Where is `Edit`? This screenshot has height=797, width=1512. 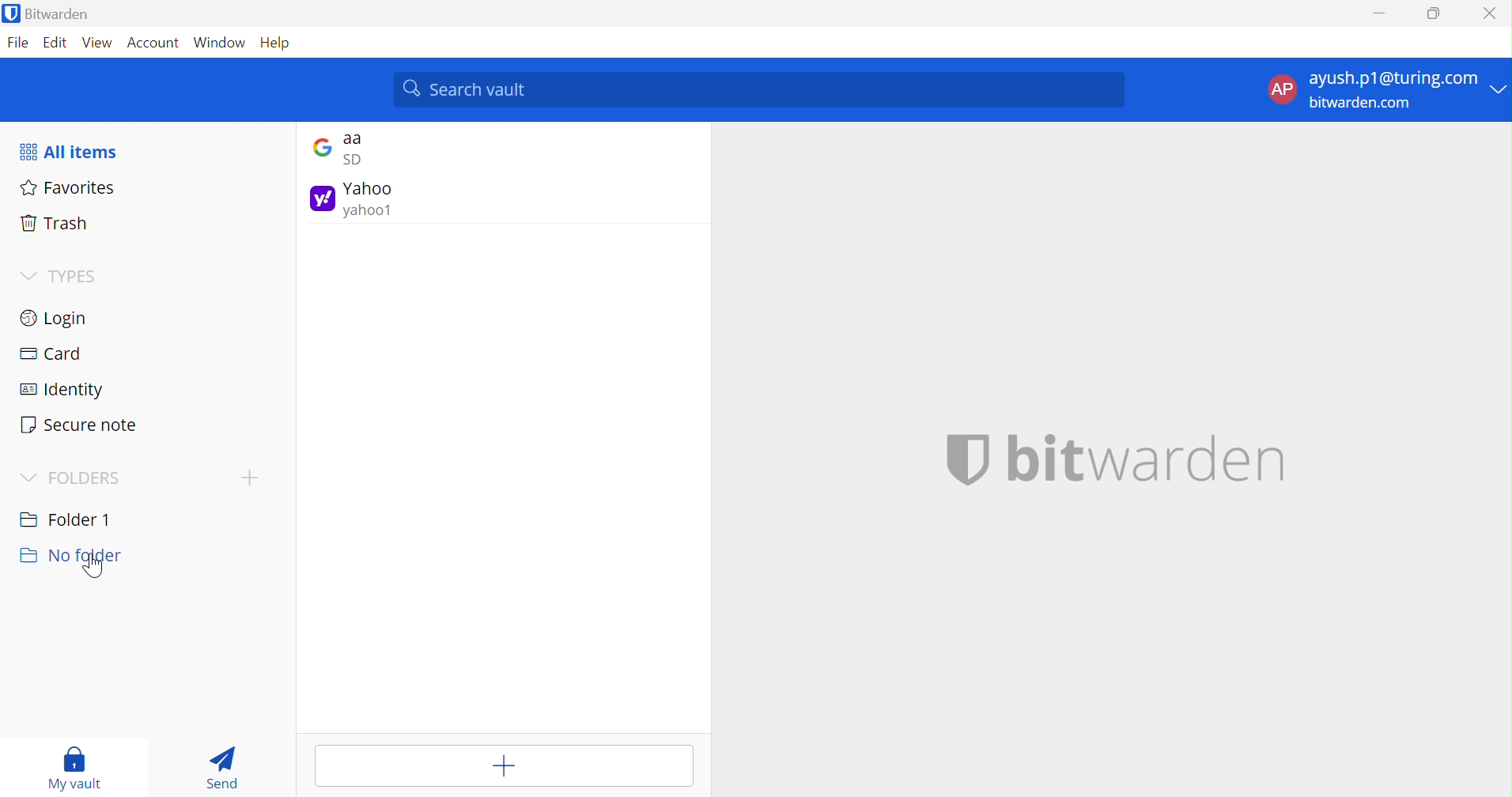 Edit is located at coordinates (55, 42).